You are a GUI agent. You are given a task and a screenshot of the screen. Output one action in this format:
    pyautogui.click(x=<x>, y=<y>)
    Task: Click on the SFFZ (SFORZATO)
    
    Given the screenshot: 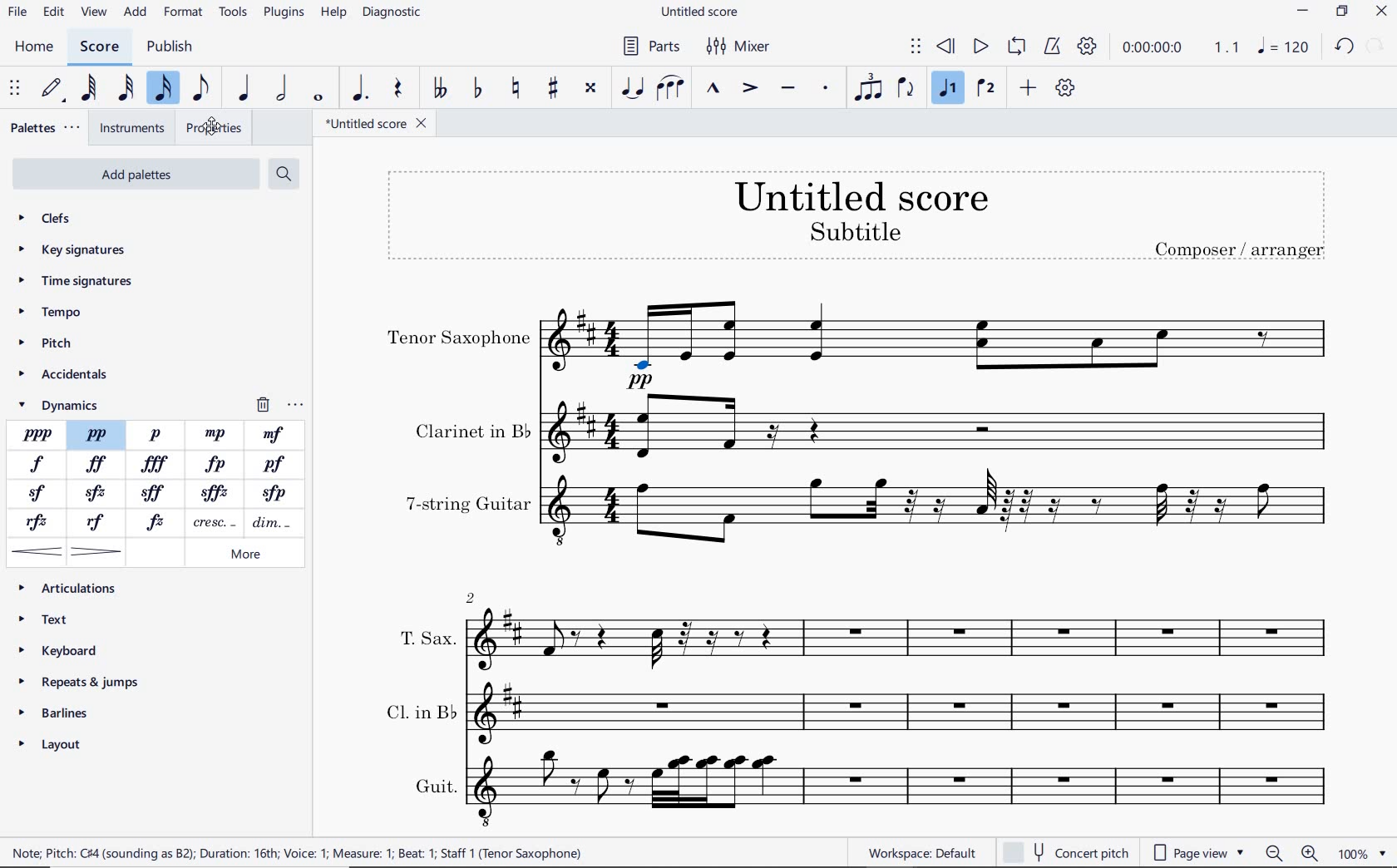 What is the action you would take?
    pyautogui.click(x=215, y=492)
    